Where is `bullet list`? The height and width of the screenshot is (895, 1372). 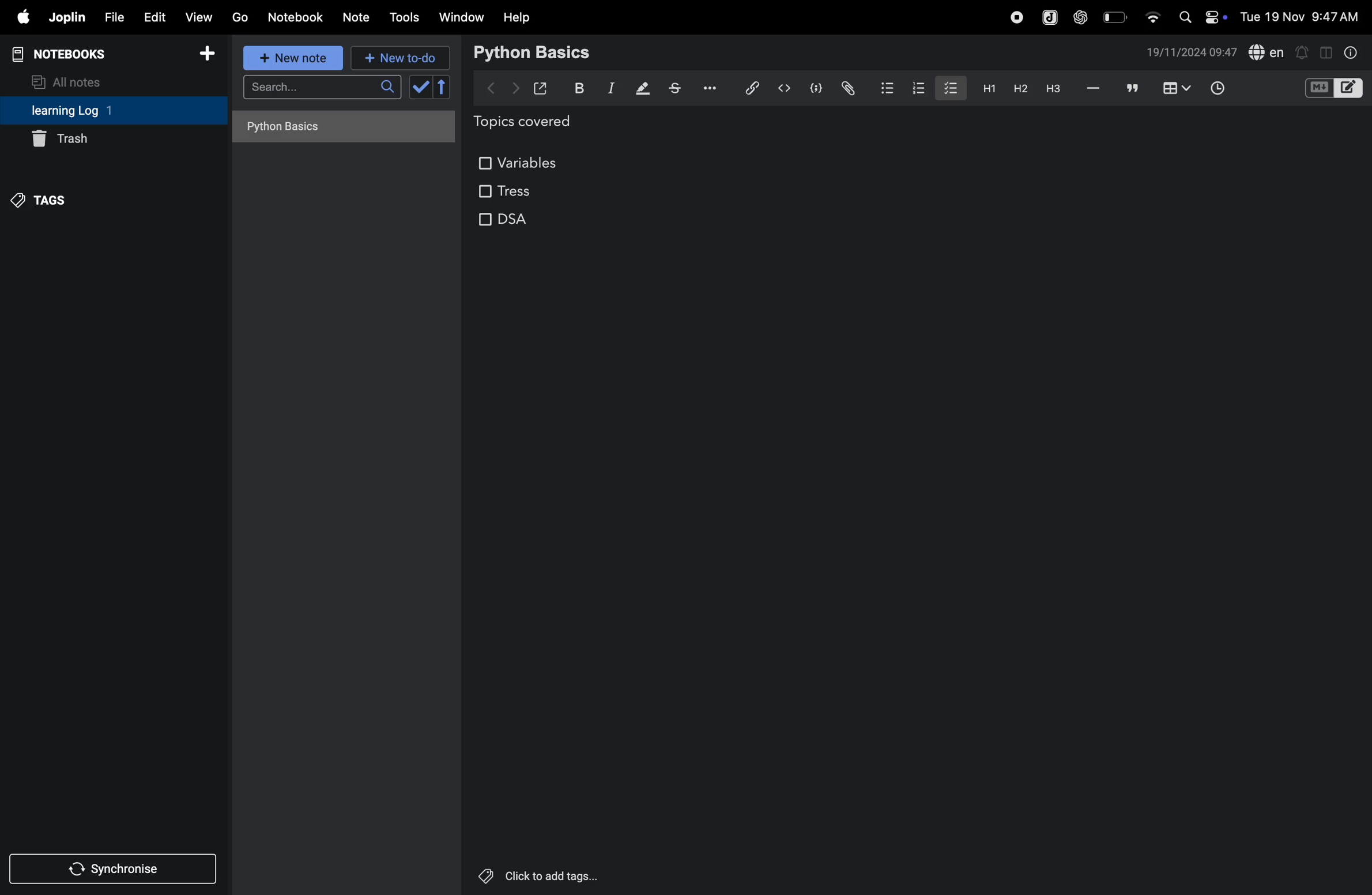 bullet list is located at coordinates (886, 86).